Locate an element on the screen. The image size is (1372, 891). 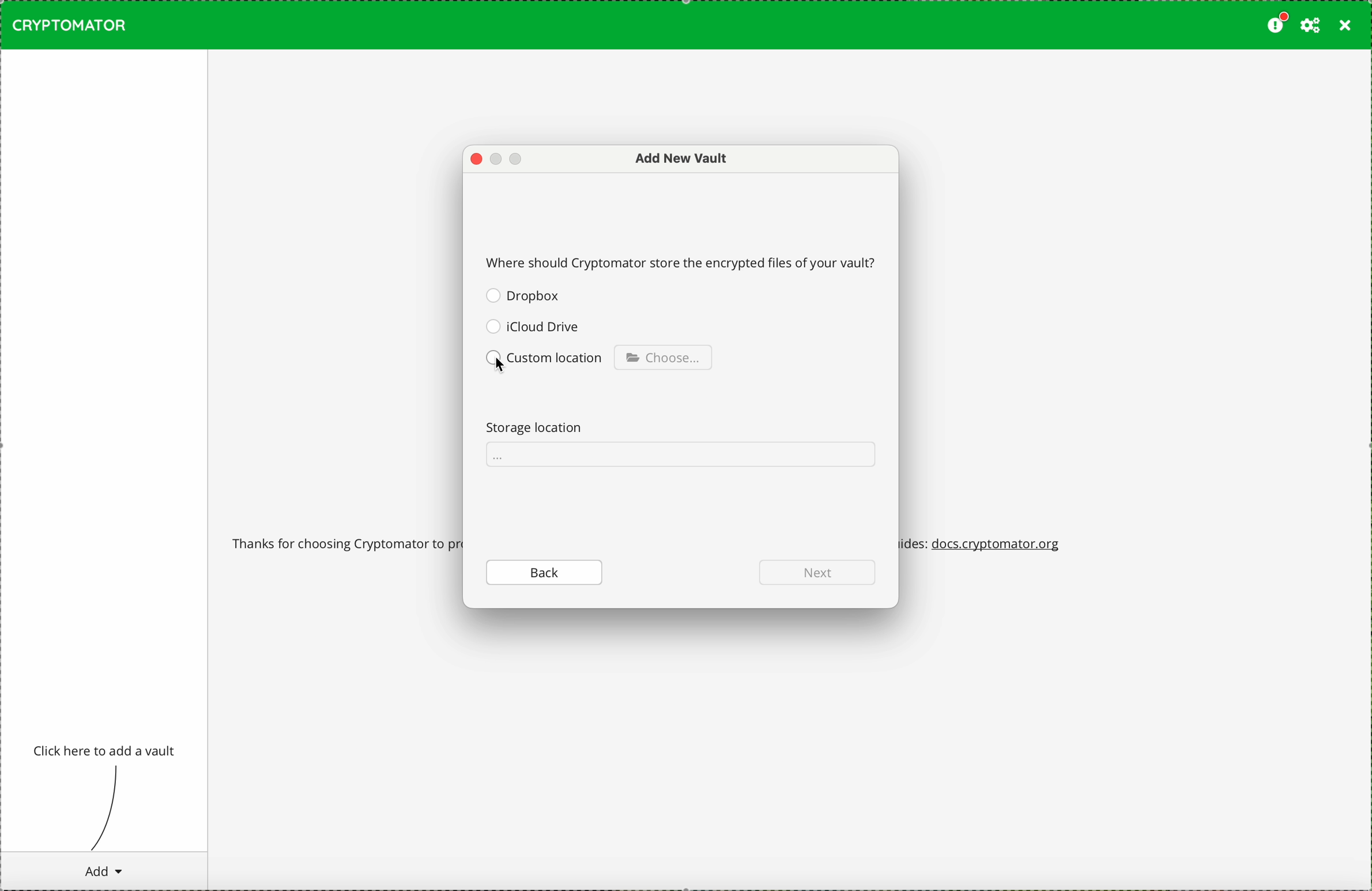
preferences is located at coordinates (1310, 25).